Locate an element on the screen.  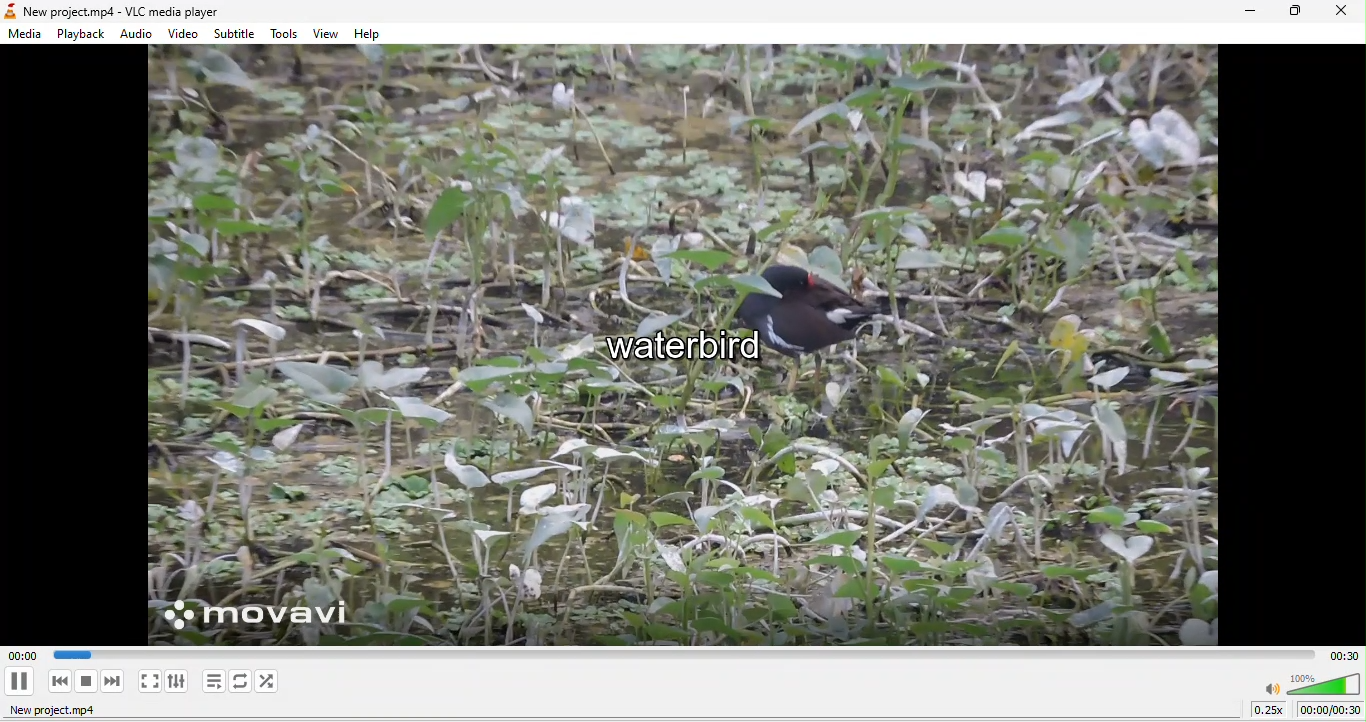
00:00/00:30 is located at coordinates (1330, 710).